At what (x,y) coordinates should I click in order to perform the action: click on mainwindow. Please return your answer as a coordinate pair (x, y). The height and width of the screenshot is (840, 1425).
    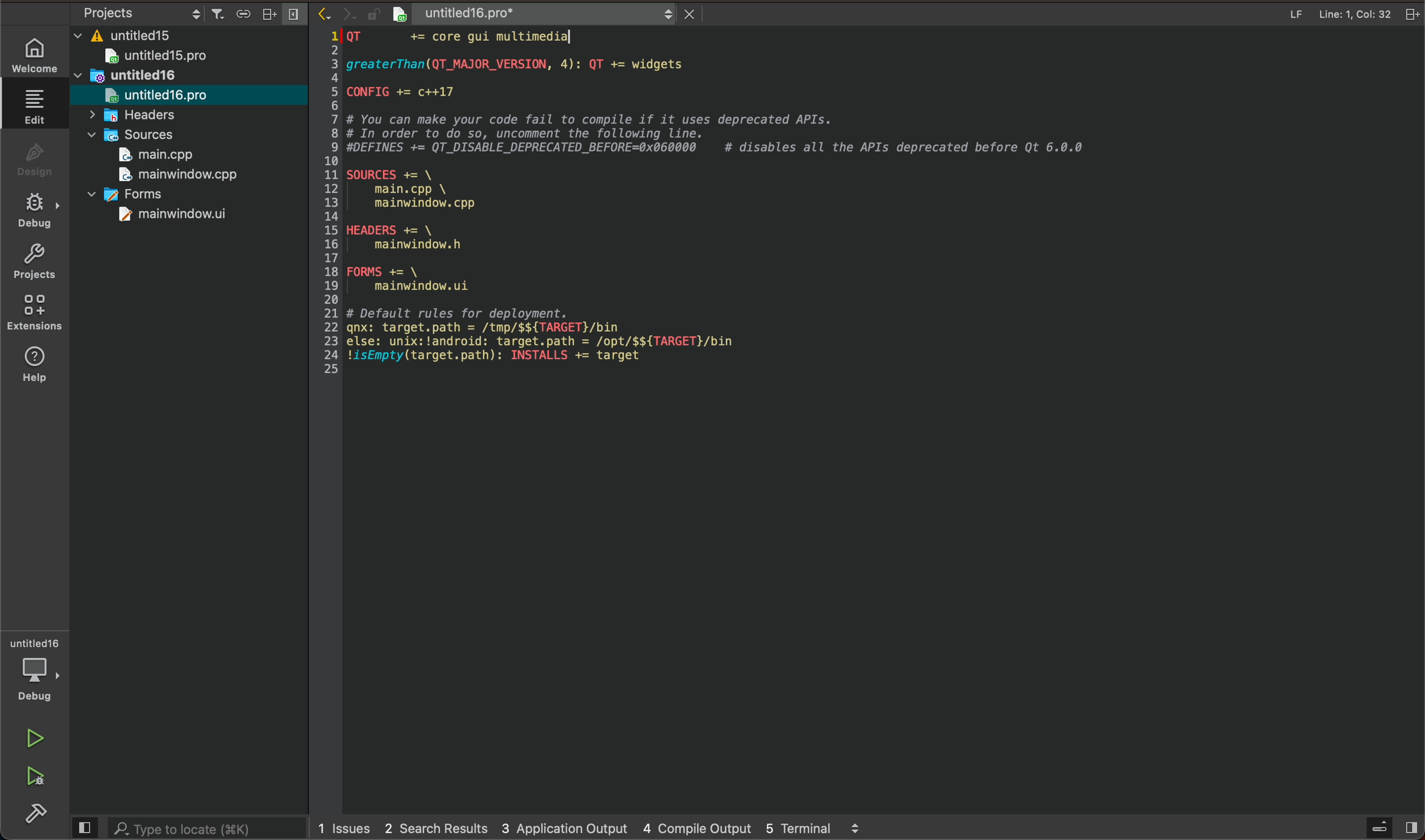
    Looking at the image, I should click on (169, 217).